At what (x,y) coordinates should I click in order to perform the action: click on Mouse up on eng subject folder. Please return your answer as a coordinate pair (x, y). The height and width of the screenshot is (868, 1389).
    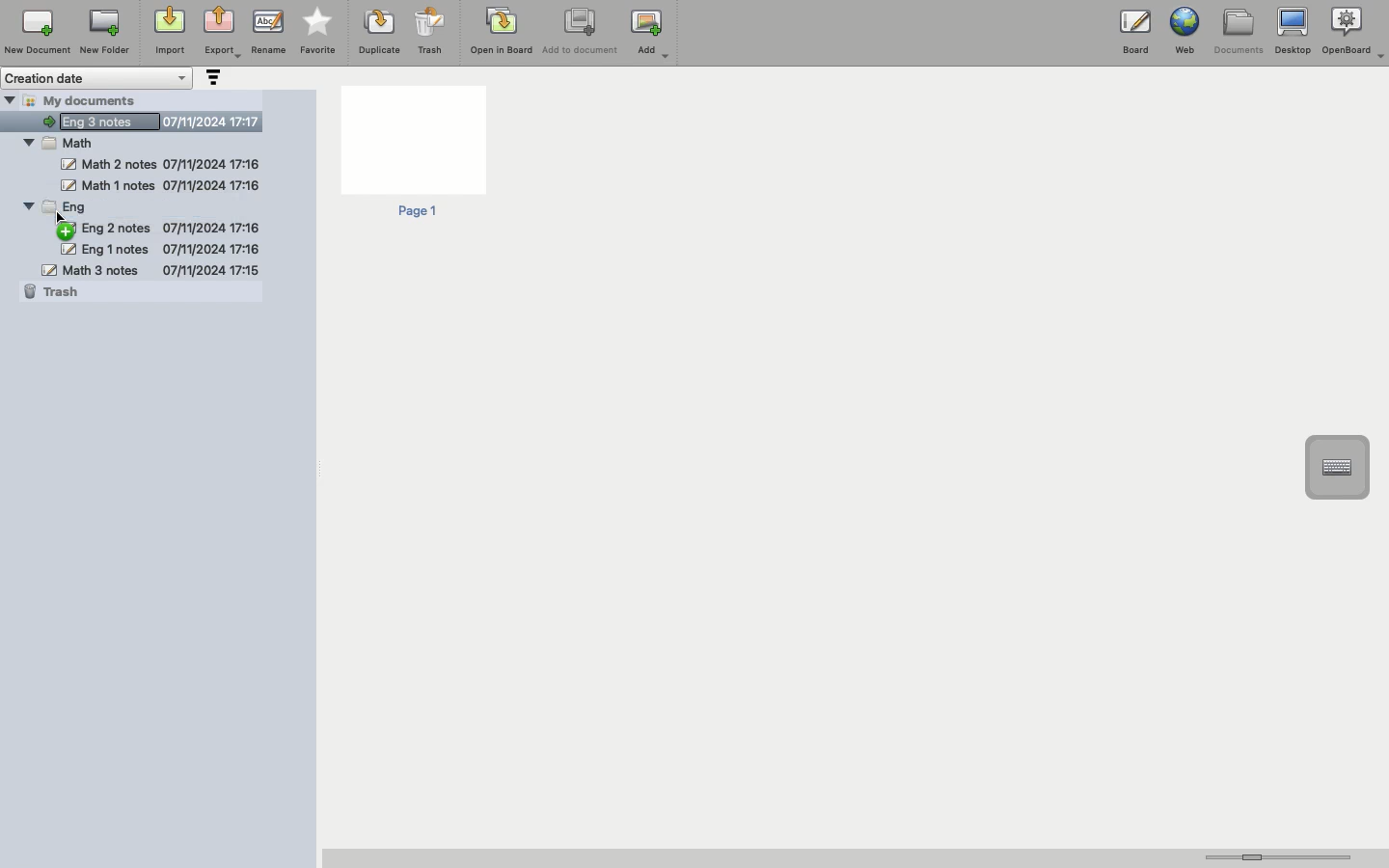
    Looking at the image, I should click on (70, 229).